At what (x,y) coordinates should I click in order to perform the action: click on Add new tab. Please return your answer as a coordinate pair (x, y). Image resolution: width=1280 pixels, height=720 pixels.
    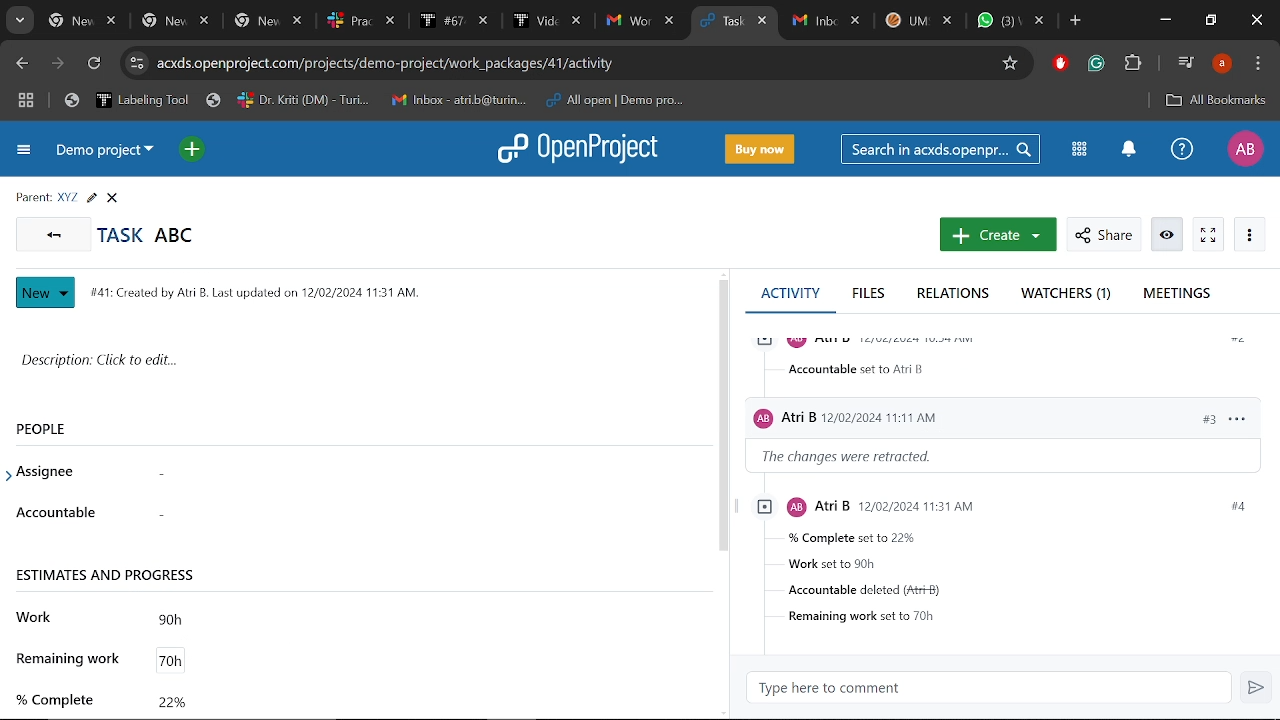
    Looking at the image, I should click on (1075, 22).